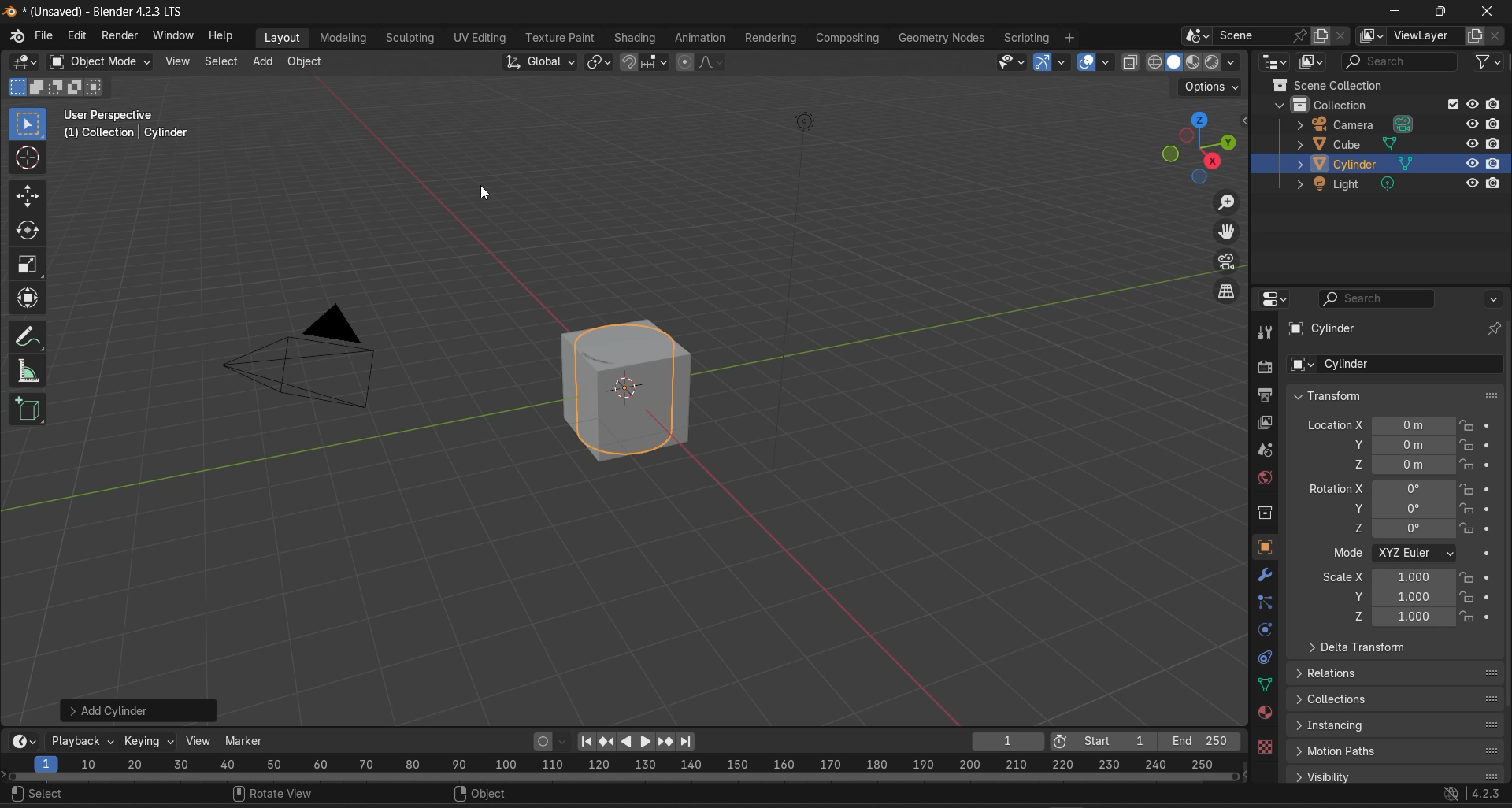  What do you see at coordinates (1496, 298) in the screenshot?
I see `options` at bounding box center [1496, 298].